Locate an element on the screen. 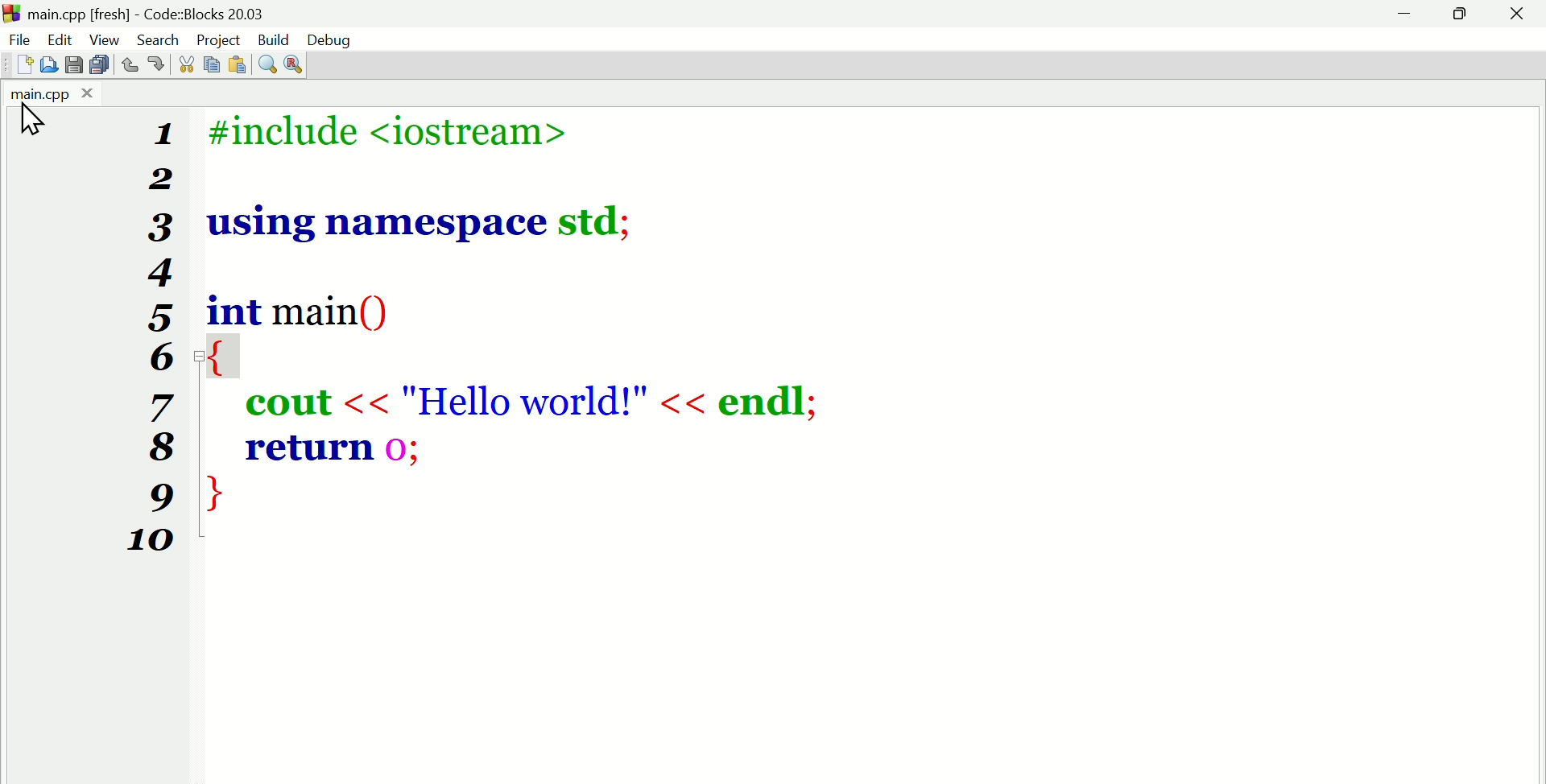 Image resolution: width=1546 pixels, height=784 pixels. file is located at coordinates (18, 38).